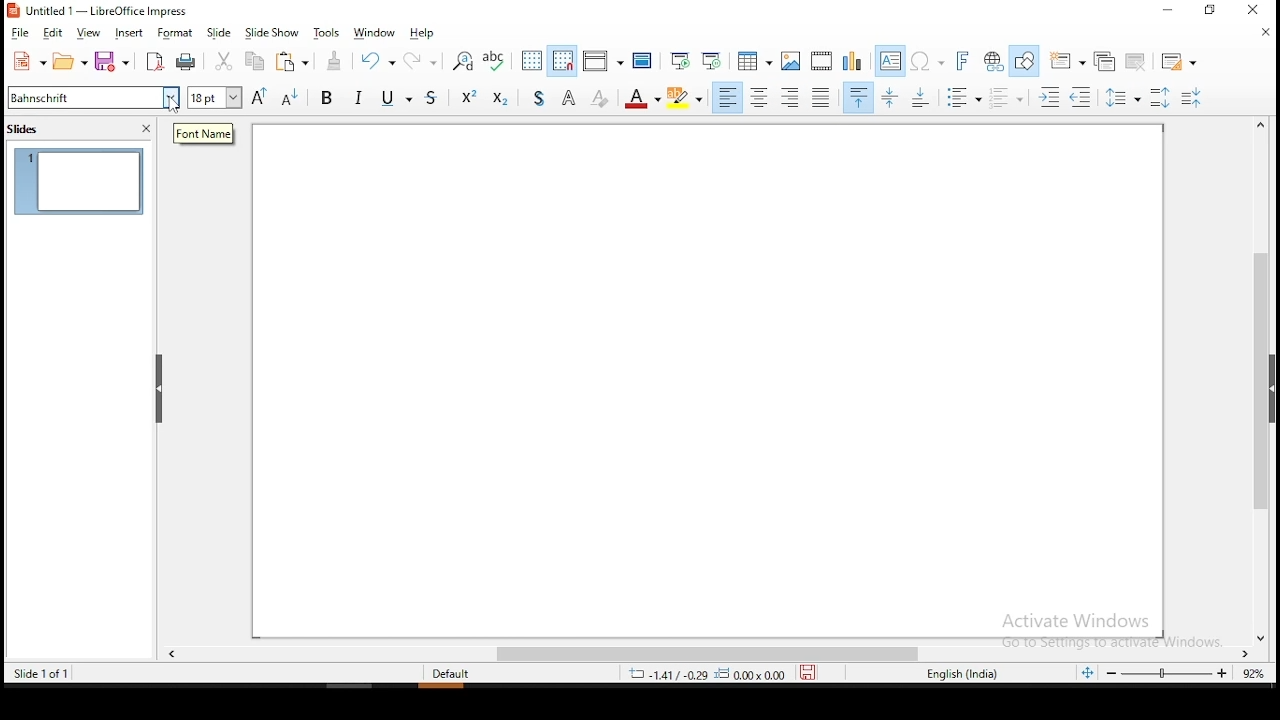 Image resolution: width=1280 pixels, height=720 pixels. Describe the element at coordinates (255, 63) in the screenshot. I see `copy` at that location.